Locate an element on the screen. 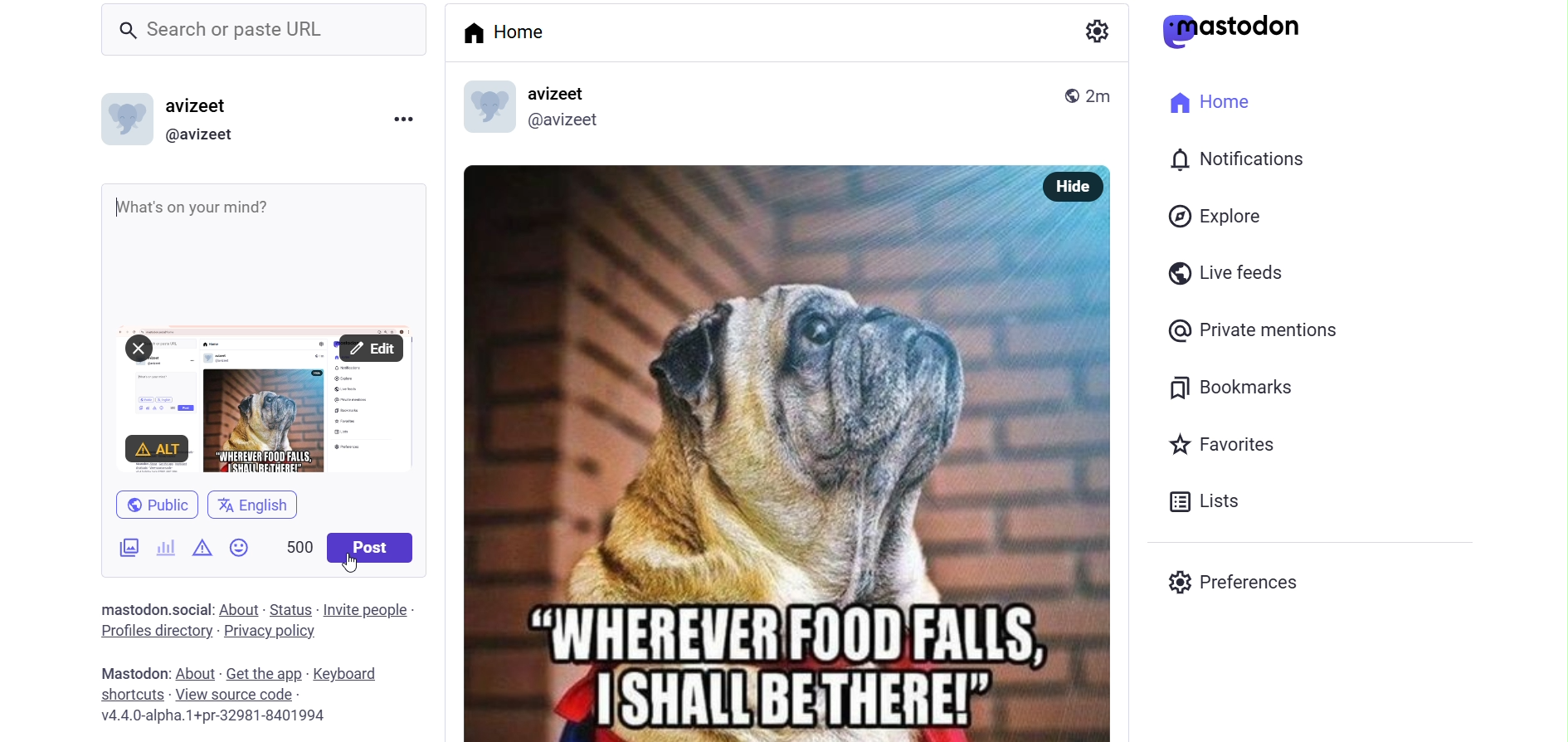  more is located at coordinates (404, 118).